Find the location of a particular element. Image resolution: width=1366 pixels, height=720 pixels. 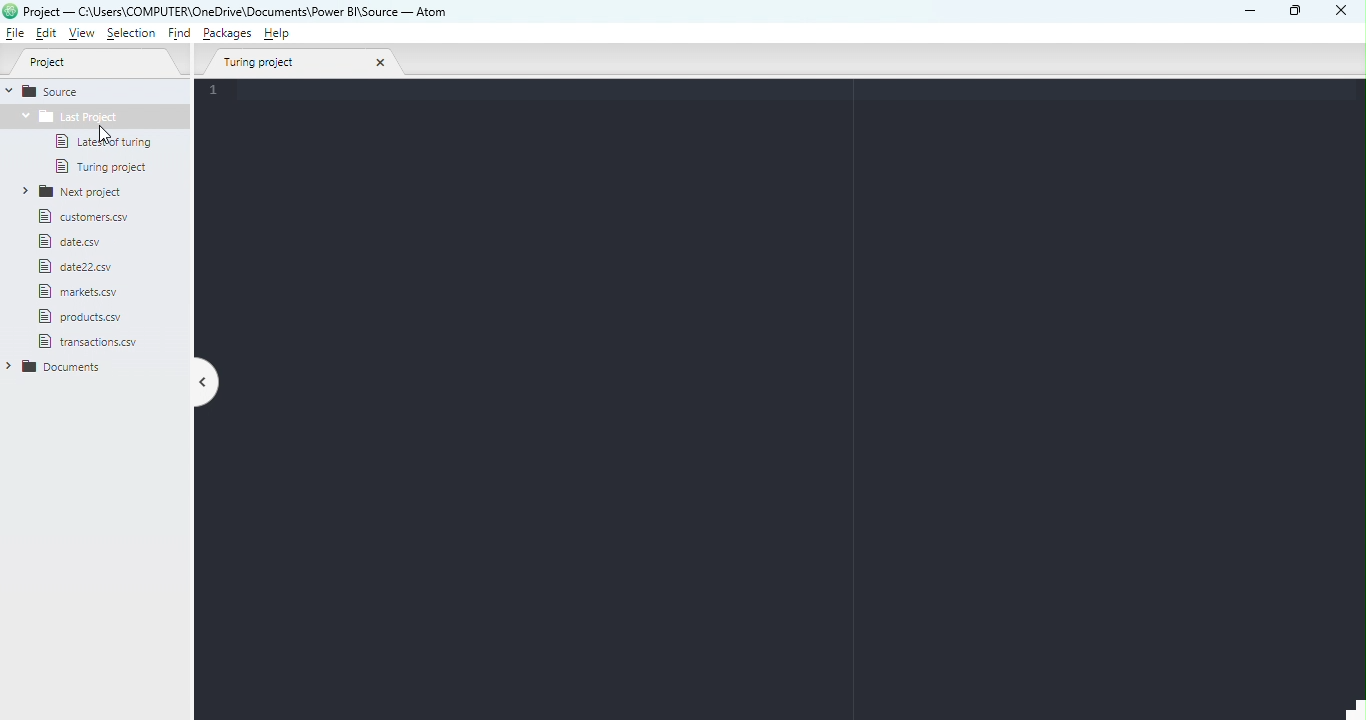

File is located at coordinates (79, 242).